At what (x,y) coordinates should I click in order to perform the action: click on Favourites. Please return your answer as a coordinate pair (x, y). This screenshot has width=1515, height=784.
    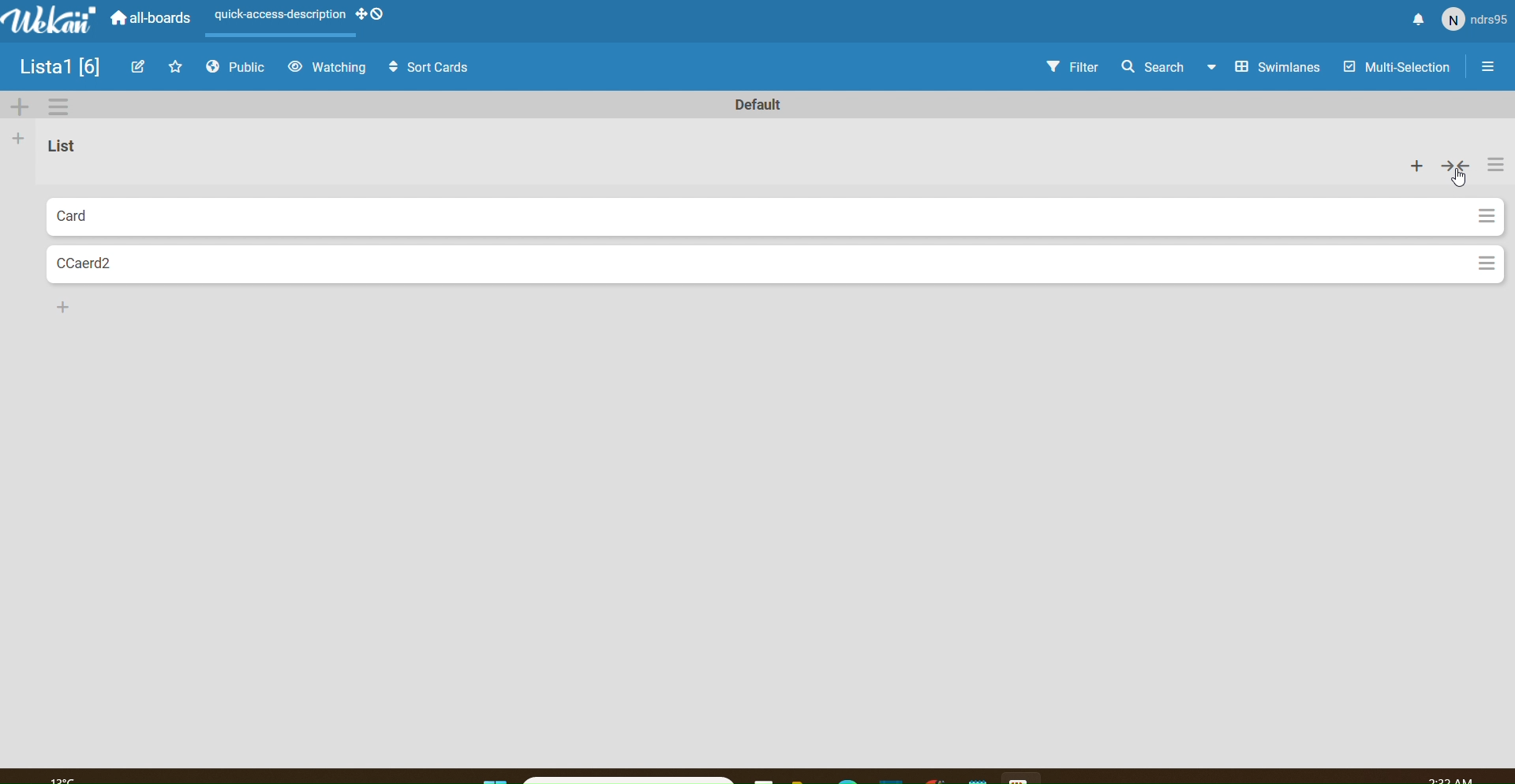
    Looking at the image, I should click on (178, 67).